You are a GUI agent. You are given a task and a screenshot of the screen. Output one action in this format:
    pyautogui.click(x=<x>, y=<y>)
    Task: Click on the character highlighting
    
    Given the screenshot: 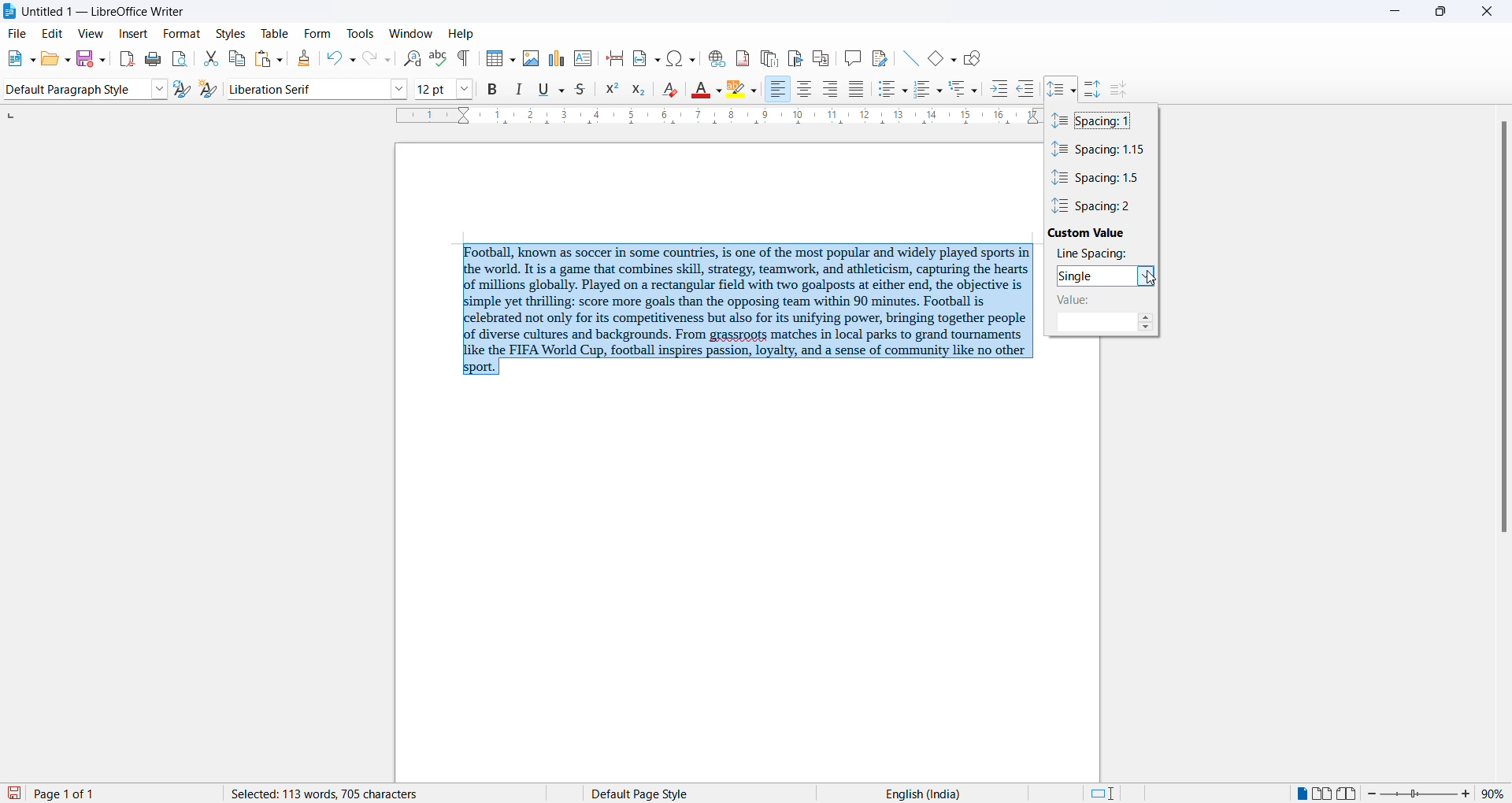 What is the action you would take?
    pyautogui.click(x=738, y=90)
    